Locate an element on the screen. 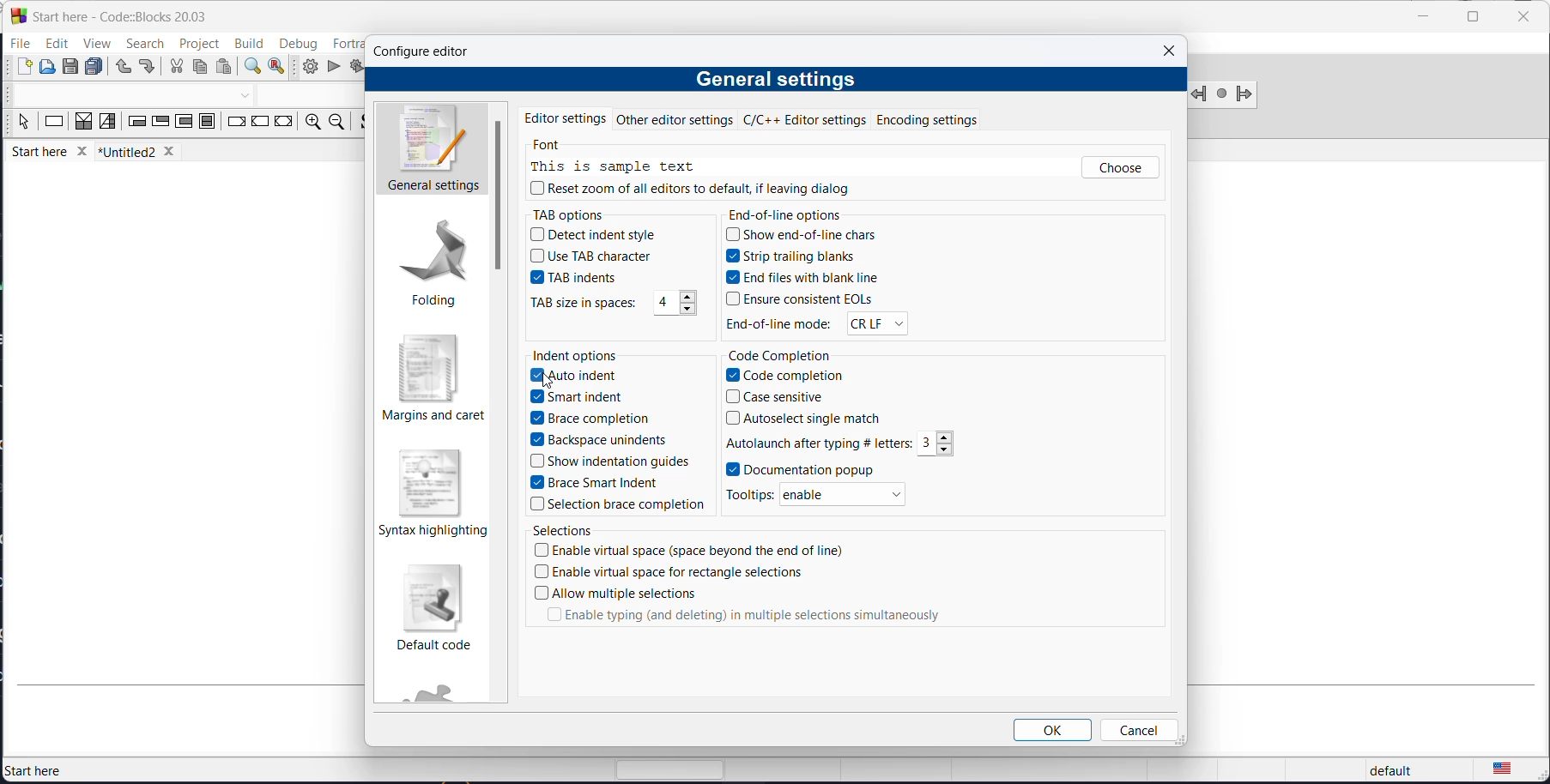  cancel is located at coordinates (1141, 730).